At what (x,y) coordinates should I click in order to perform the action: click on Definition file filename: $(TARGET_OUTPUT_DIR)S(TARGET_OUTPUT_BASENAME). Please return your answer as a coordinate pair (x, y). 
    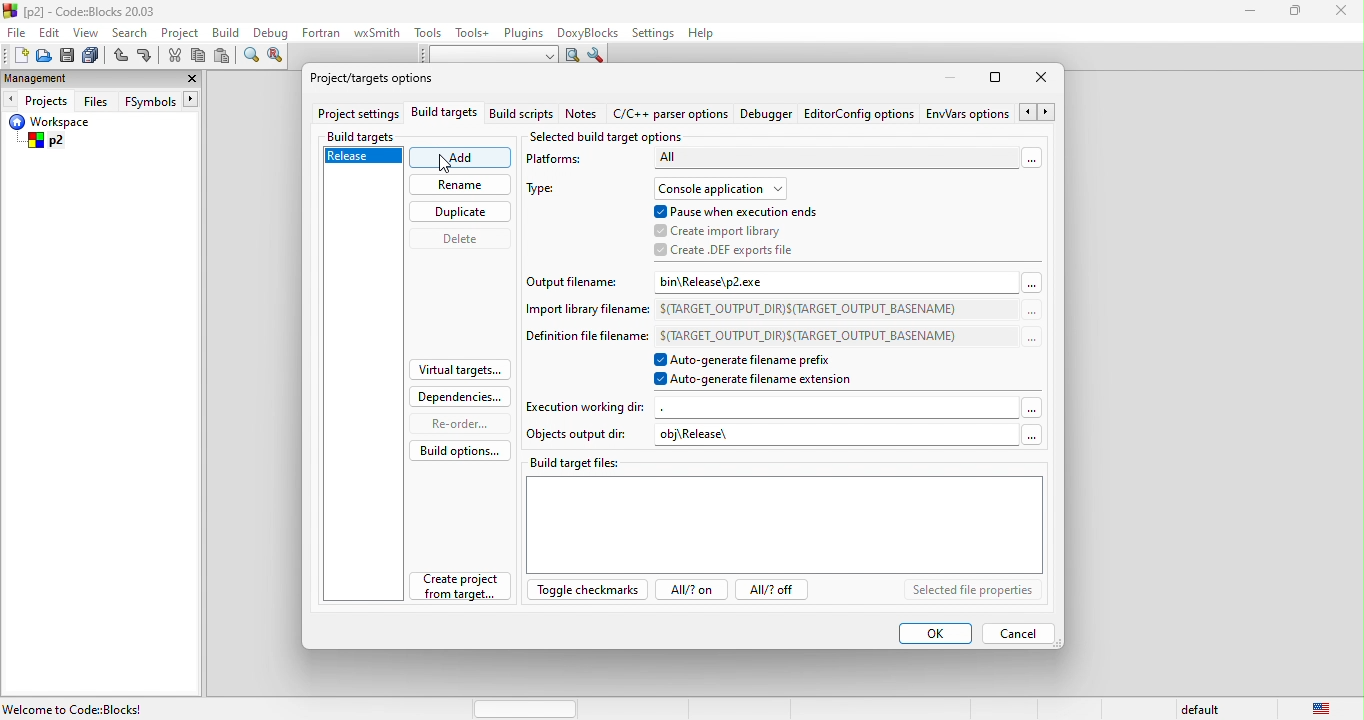
    Looking at the image, I should click on (781, 337).